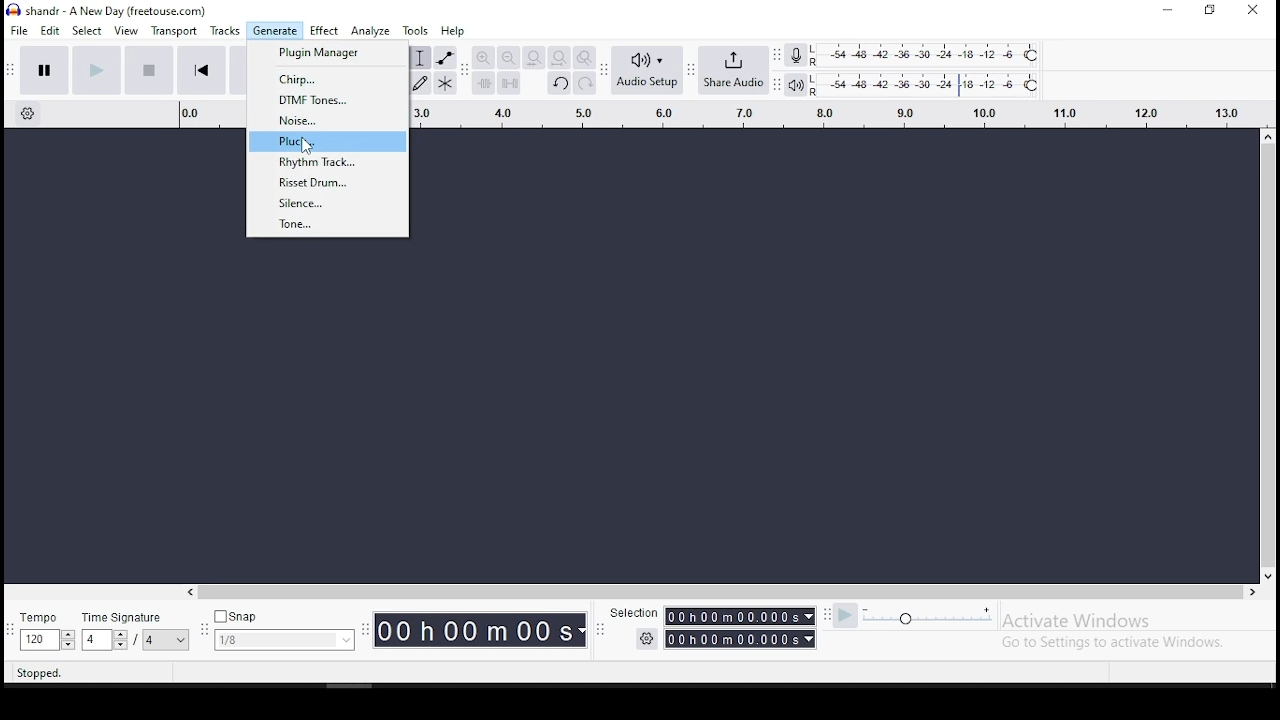  I want to click on select, so click(89, 32).